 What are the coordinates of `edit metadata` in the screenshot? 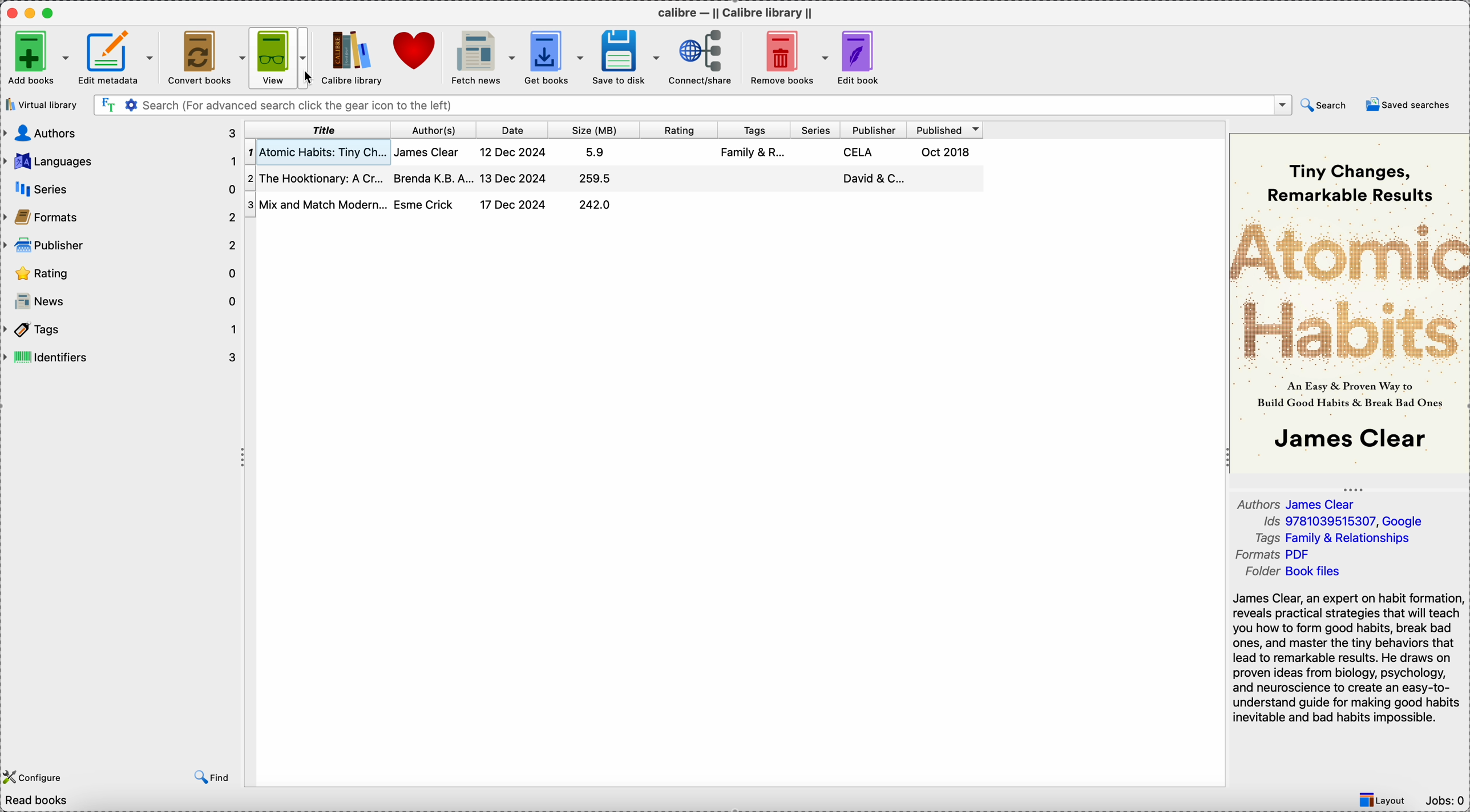 It's located at (119, 57).